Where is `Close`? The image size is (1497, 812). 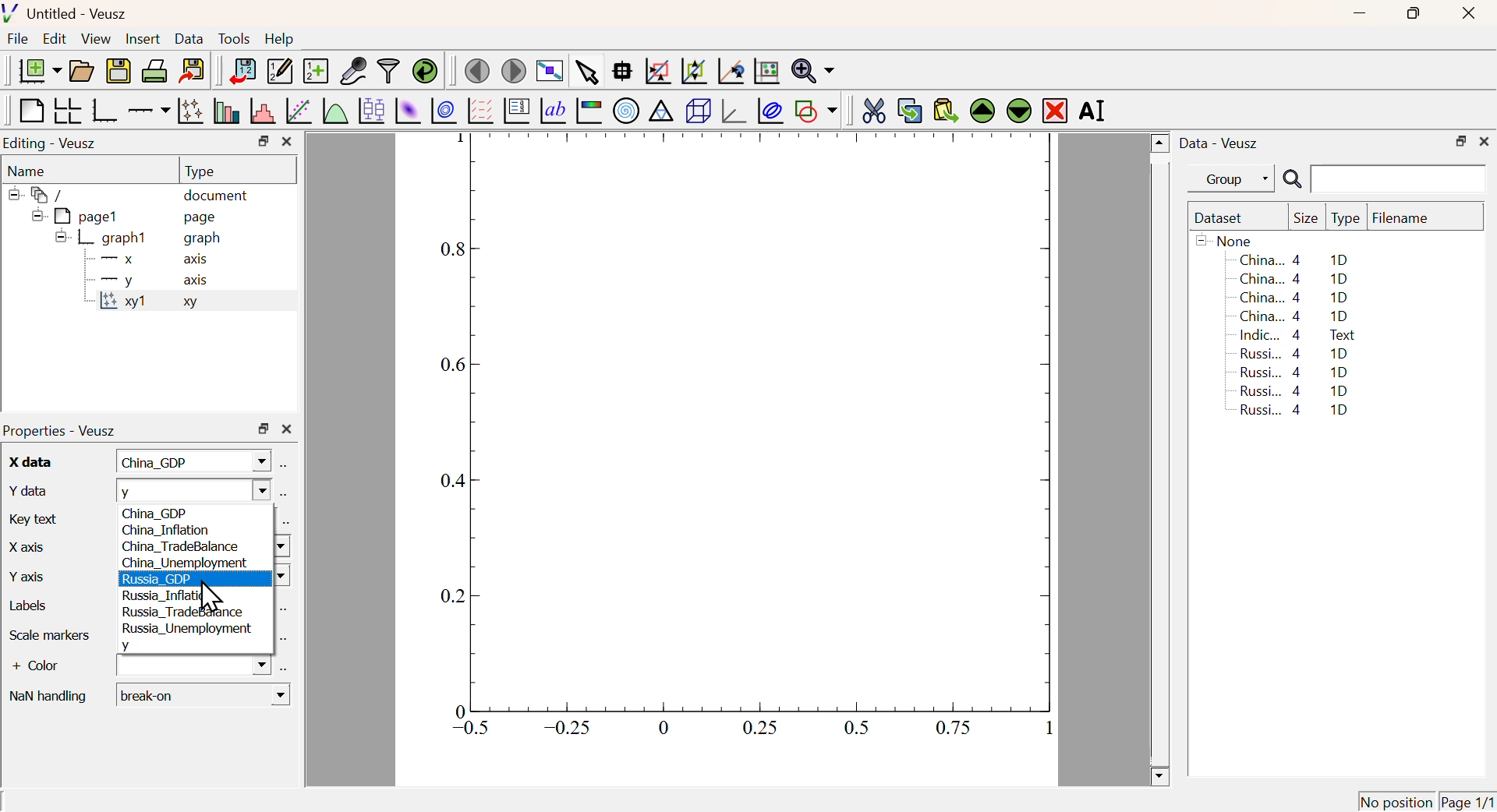 Close is located at coordinates (287, 430).